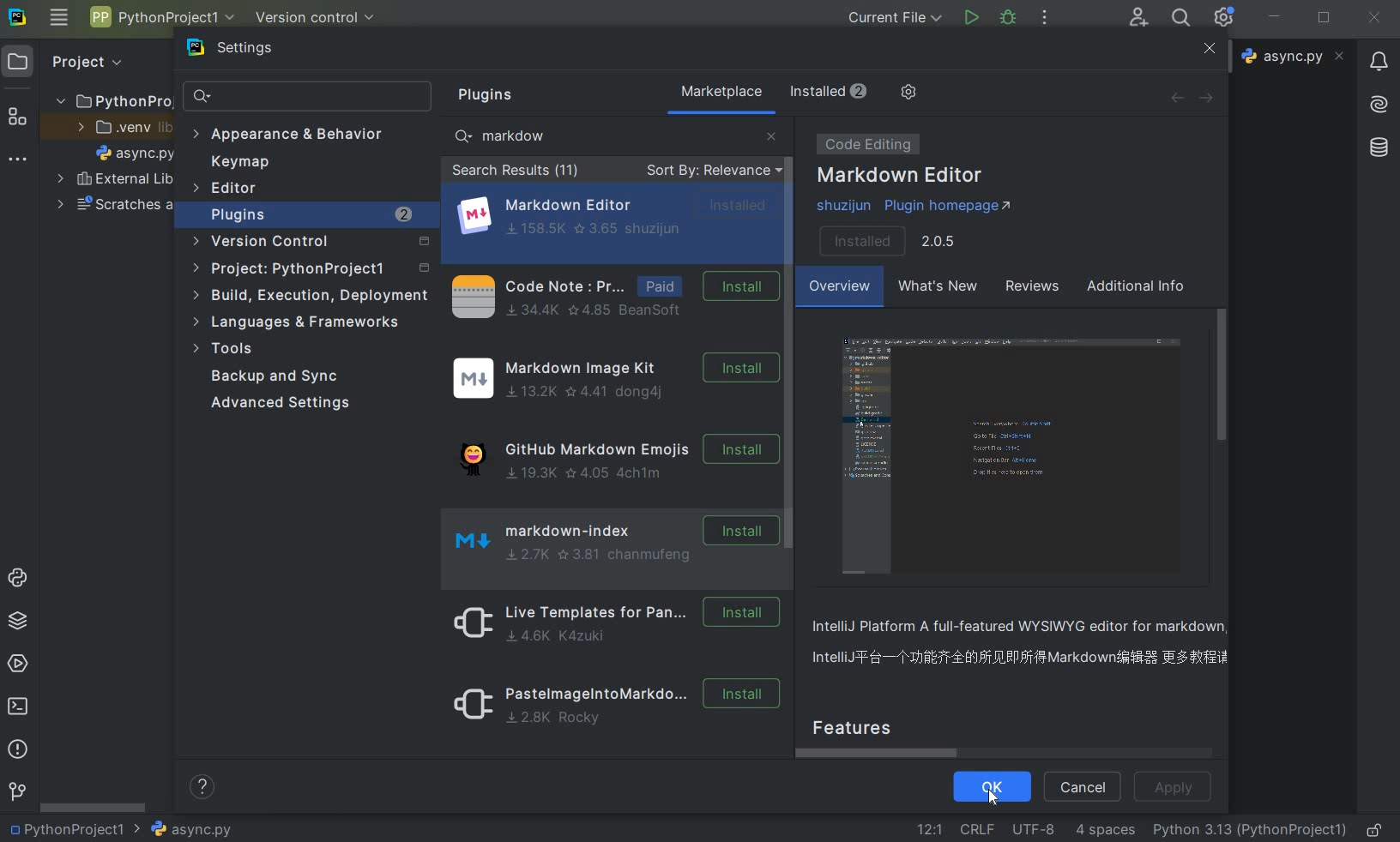  I want to click on scrollbar, so click(1223, 374).